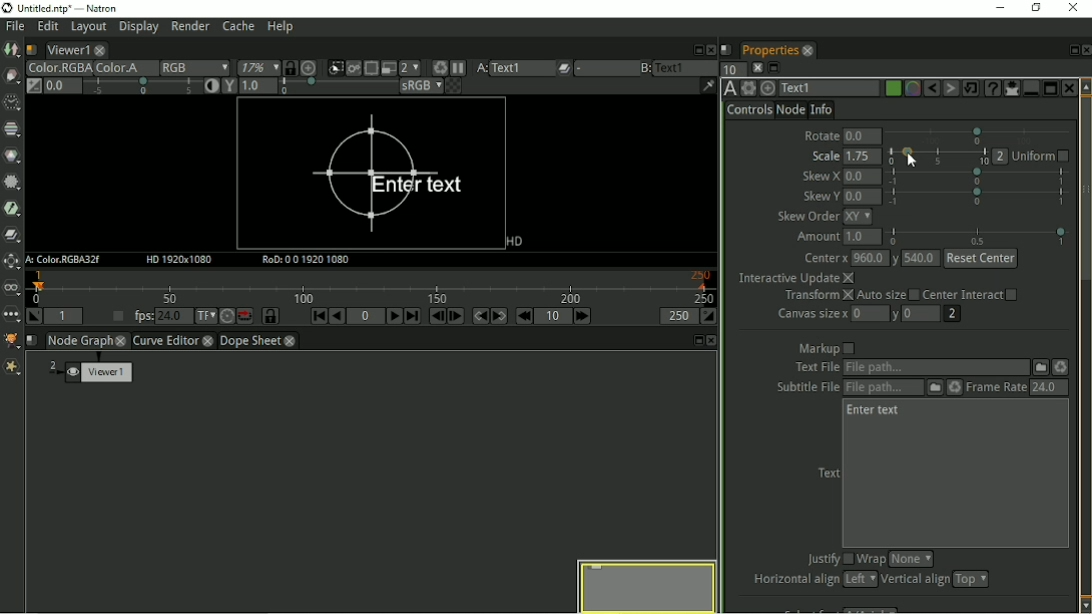 This screenshot has width=1092, height=614. What do you see at coordinates (1070, 88) in the screenshot?
I see `Close` at bounding box center [1070, 88].